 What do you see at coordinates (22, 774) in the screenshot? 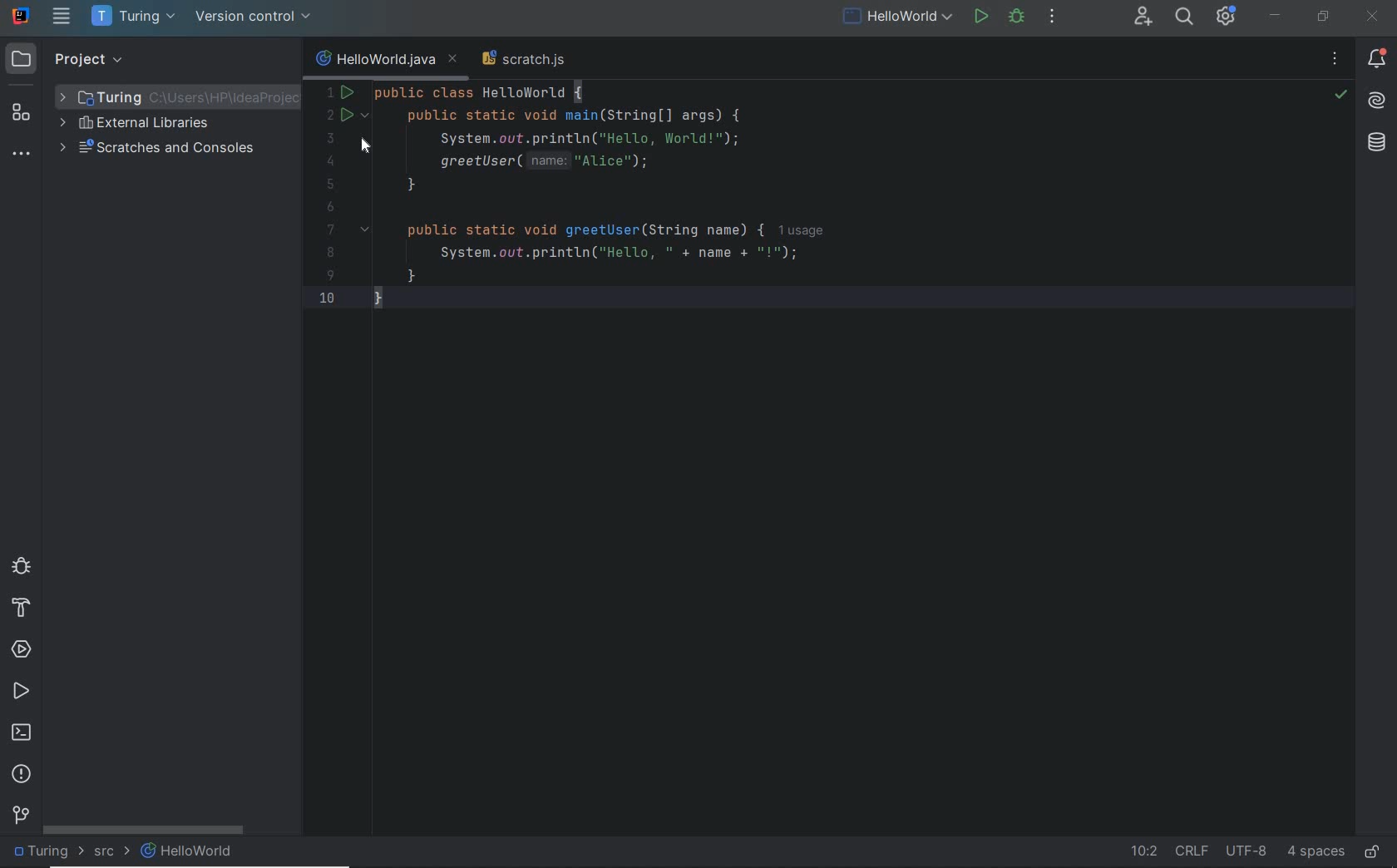
I see `problems` at bounding box center [22, 774].